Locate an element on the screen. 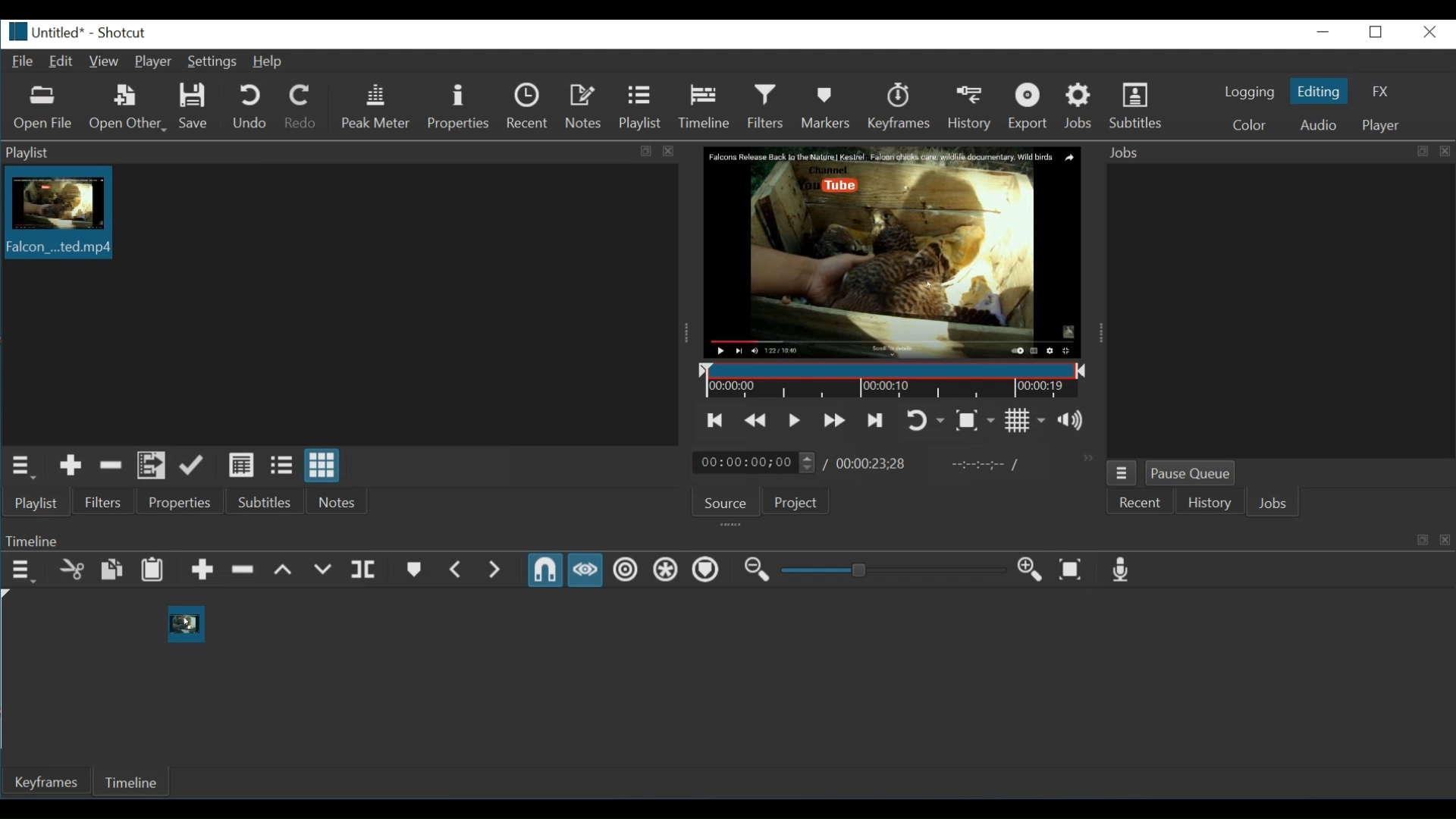 The image size is (1456, 819). Close is located at coordinates (1427, 32).